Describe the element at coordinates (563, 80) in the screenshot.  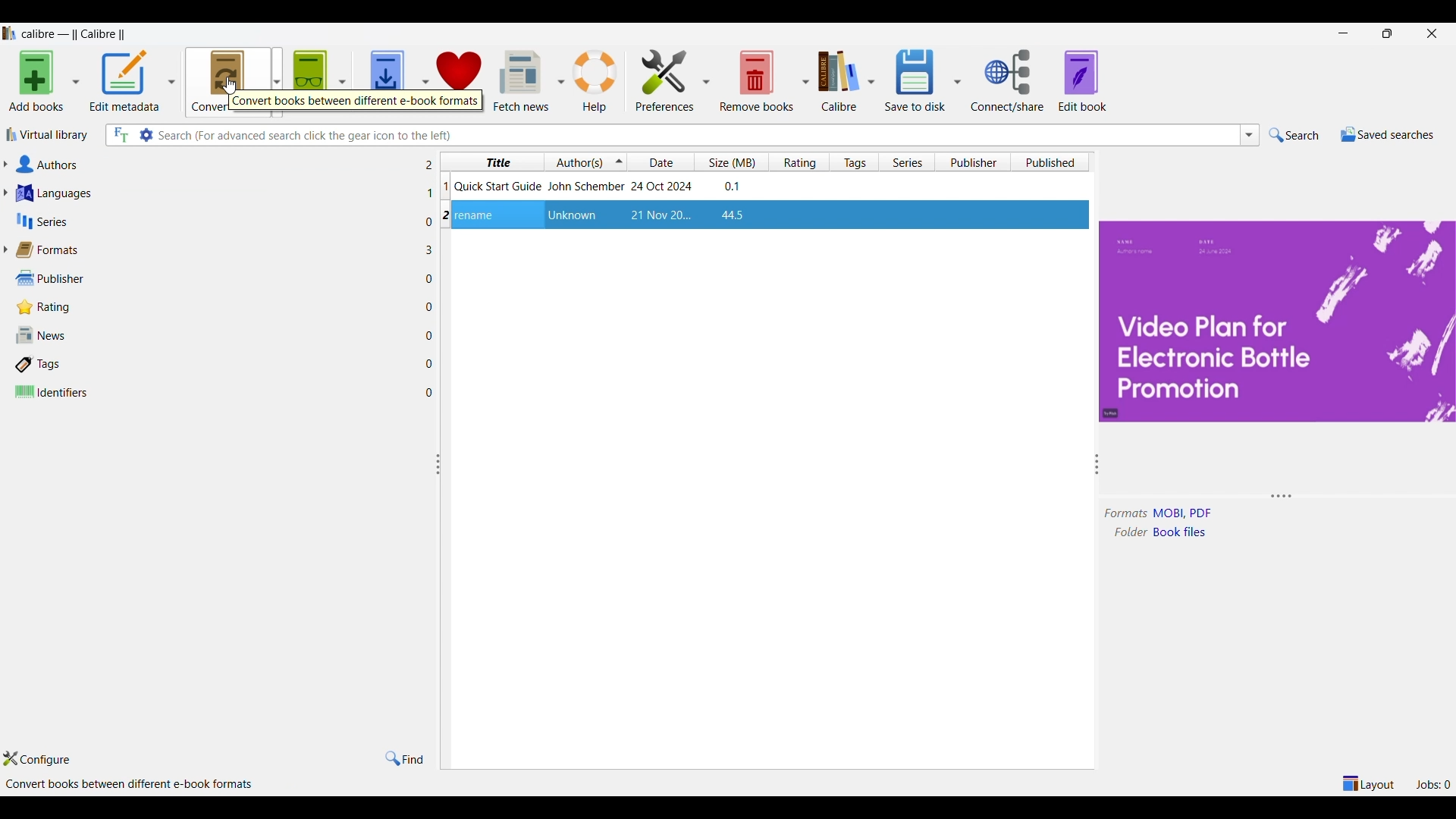
I see `Fetch news options` at that location.